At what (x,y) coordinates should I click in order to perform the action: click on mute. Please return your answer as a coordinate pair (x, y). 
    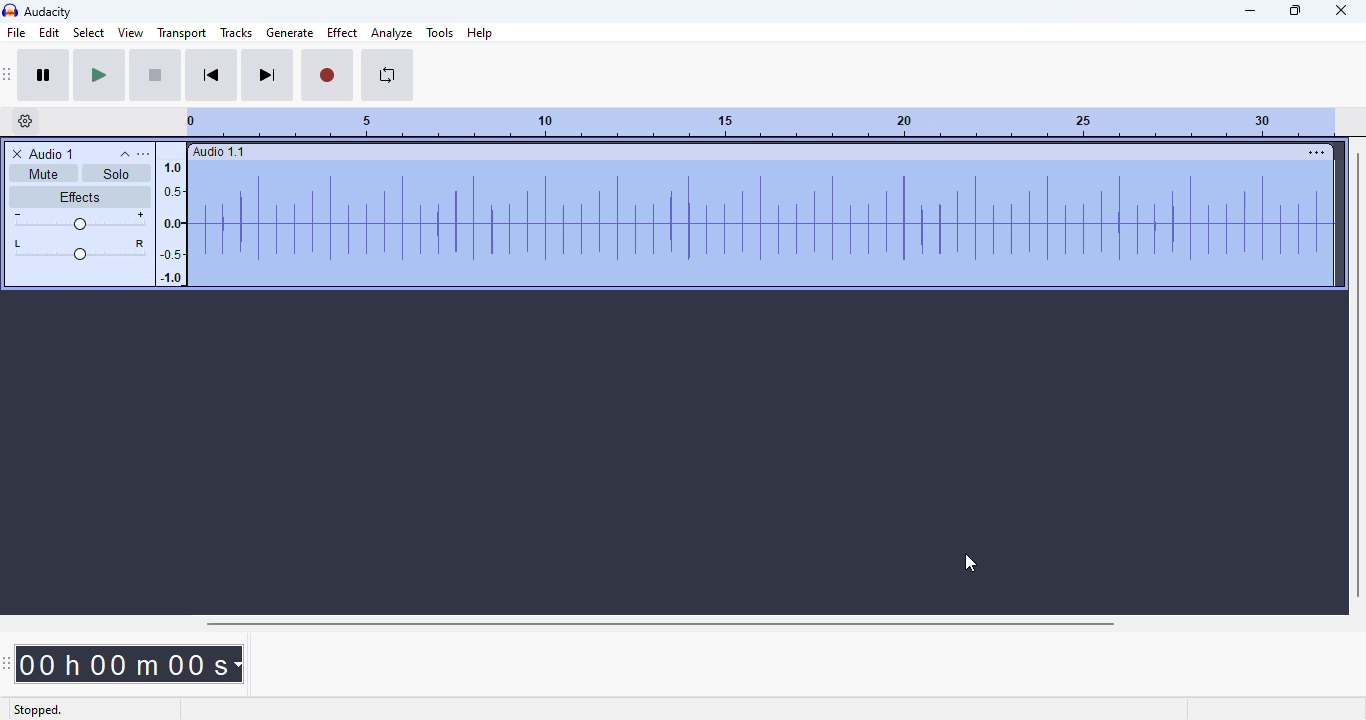
    Looking at the image, I should click on (44, 173).